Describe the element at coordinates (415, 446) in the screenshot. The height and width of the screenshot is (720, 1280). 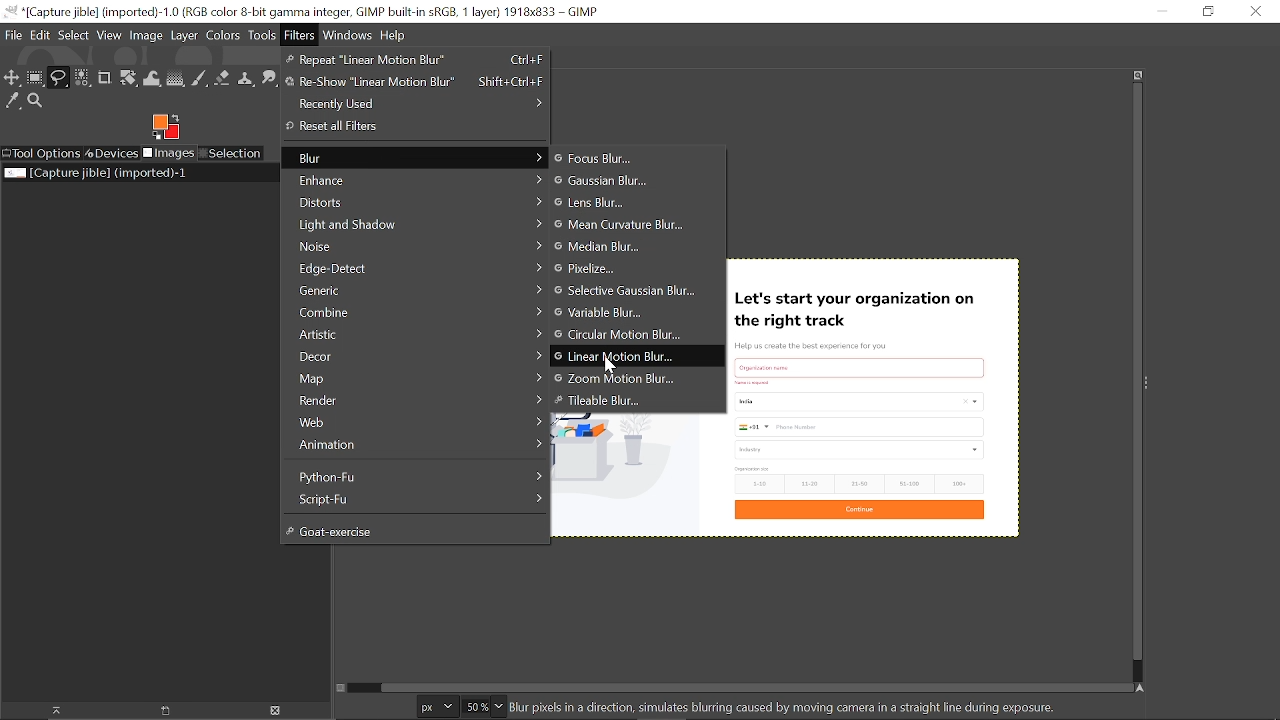
I see `Animation` at that location.